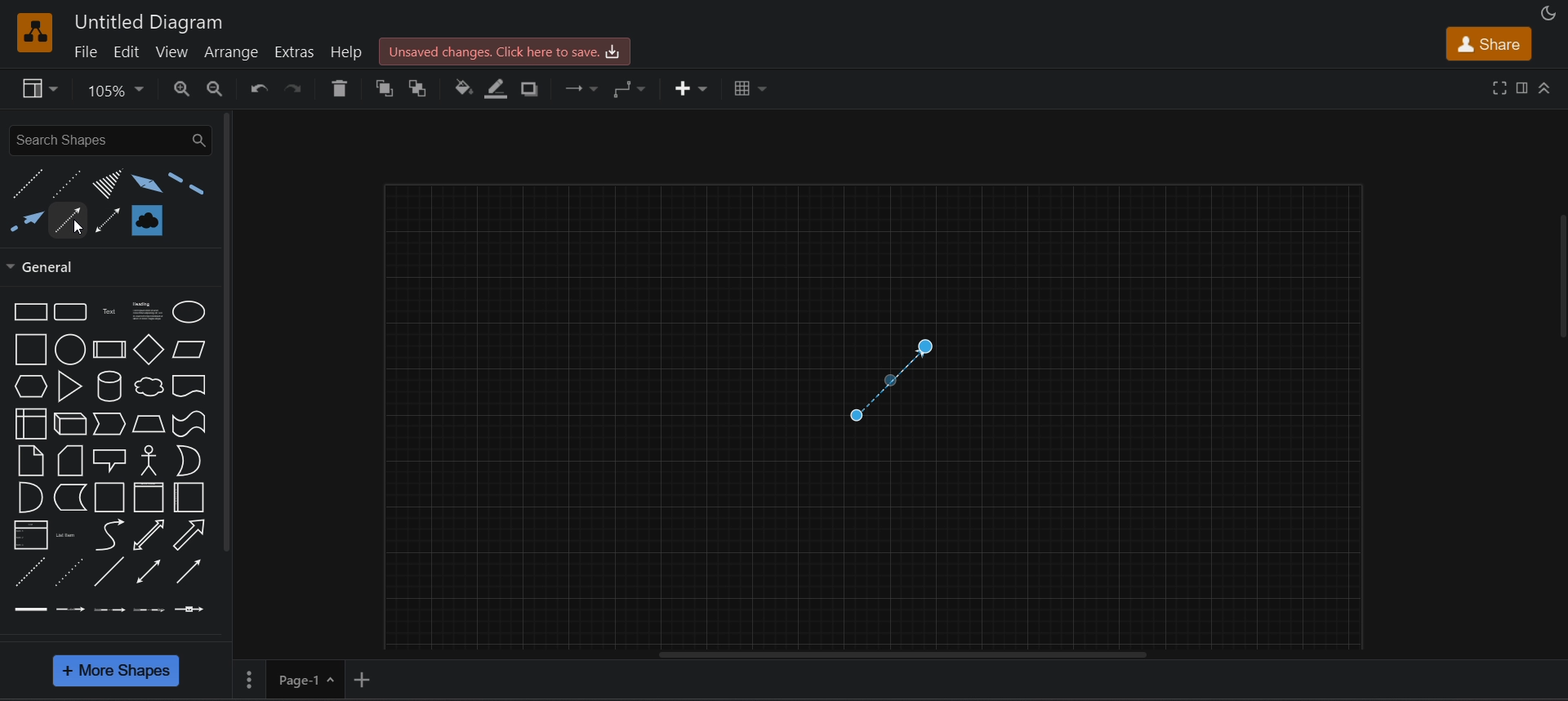  Describe the element at coordinates (463, 90) in the screenshot. I see `fill color` at that location.